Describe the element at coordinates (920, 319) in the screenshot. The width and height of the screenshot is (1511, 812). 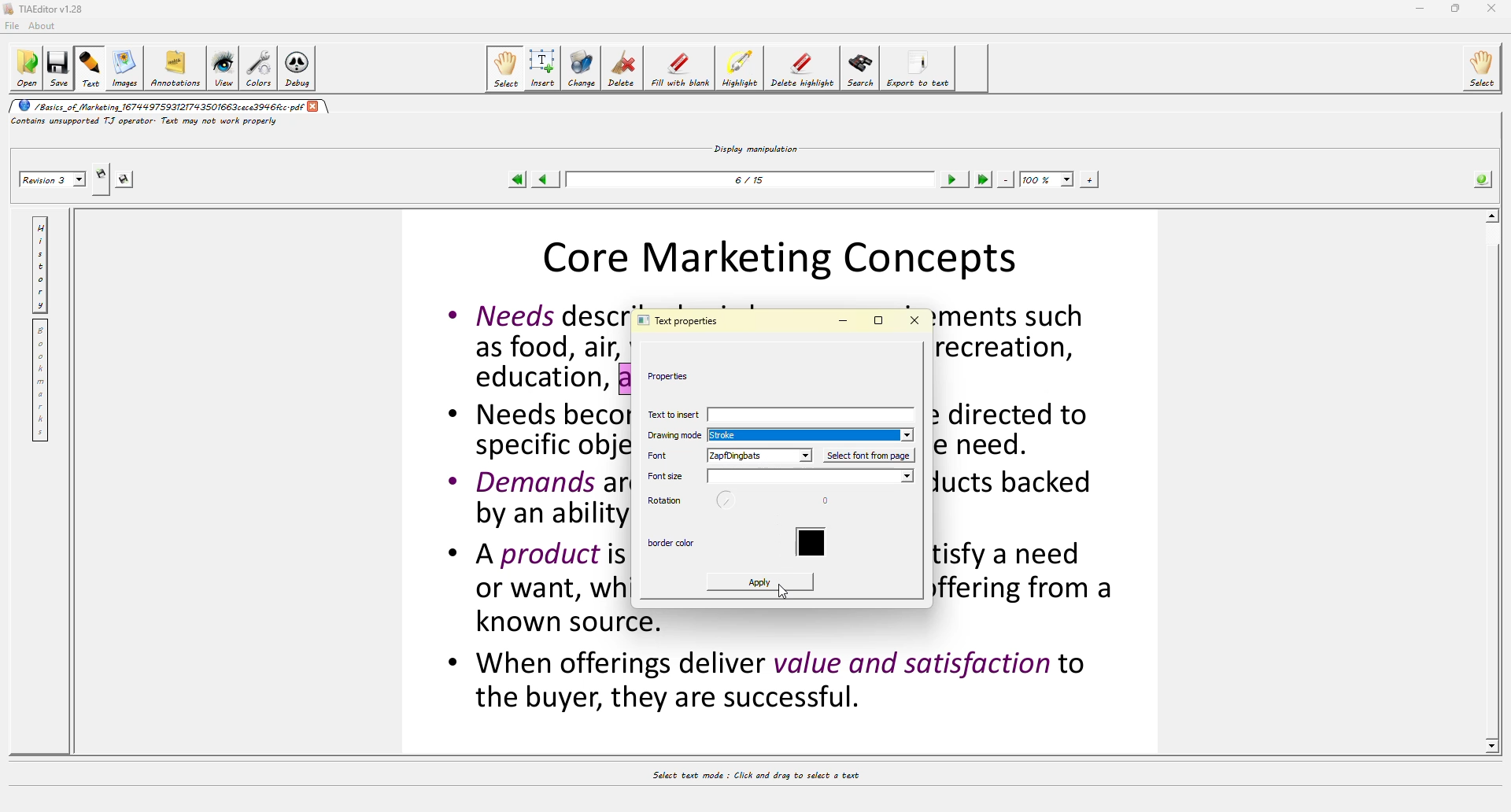
I see `close` at that location.